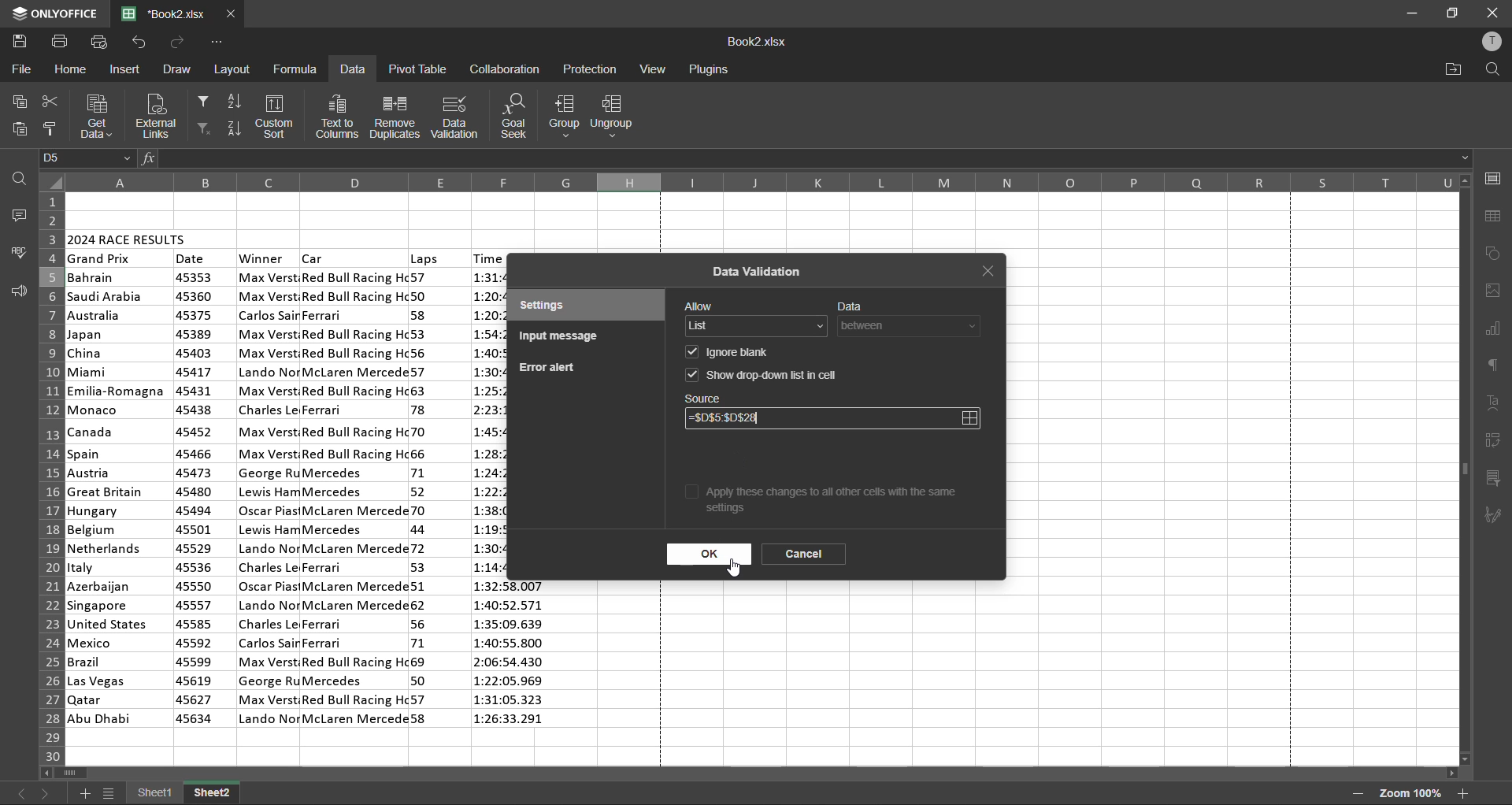 The height and width of the screenshot is (805, 1512). What do you see at coordinates (18, 131) in the screenshot?
I see `paste` at bounding box center [18, 131].